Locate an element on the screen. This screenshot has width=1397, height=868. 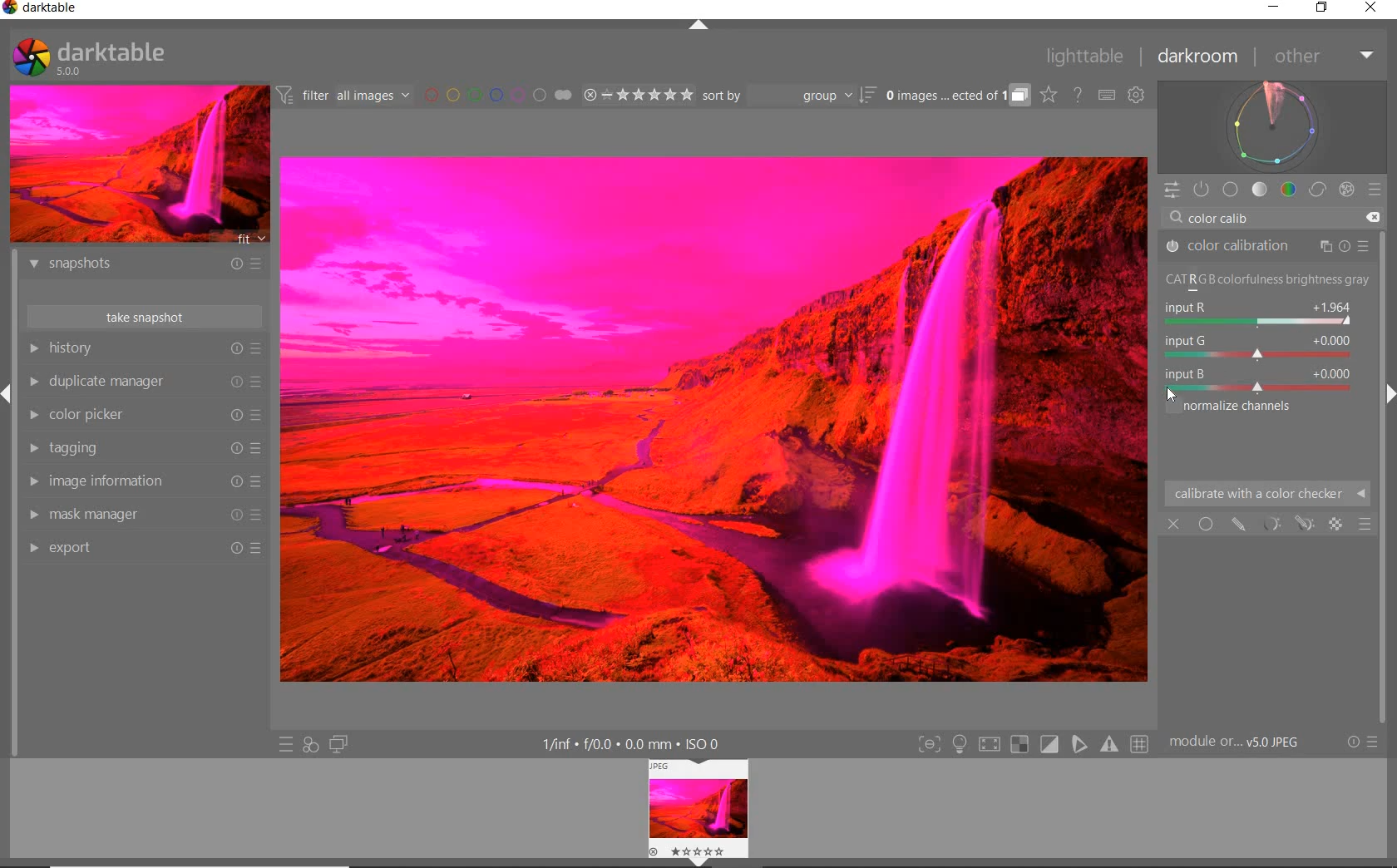
INPUT B is located at coordinates (1256, 379).